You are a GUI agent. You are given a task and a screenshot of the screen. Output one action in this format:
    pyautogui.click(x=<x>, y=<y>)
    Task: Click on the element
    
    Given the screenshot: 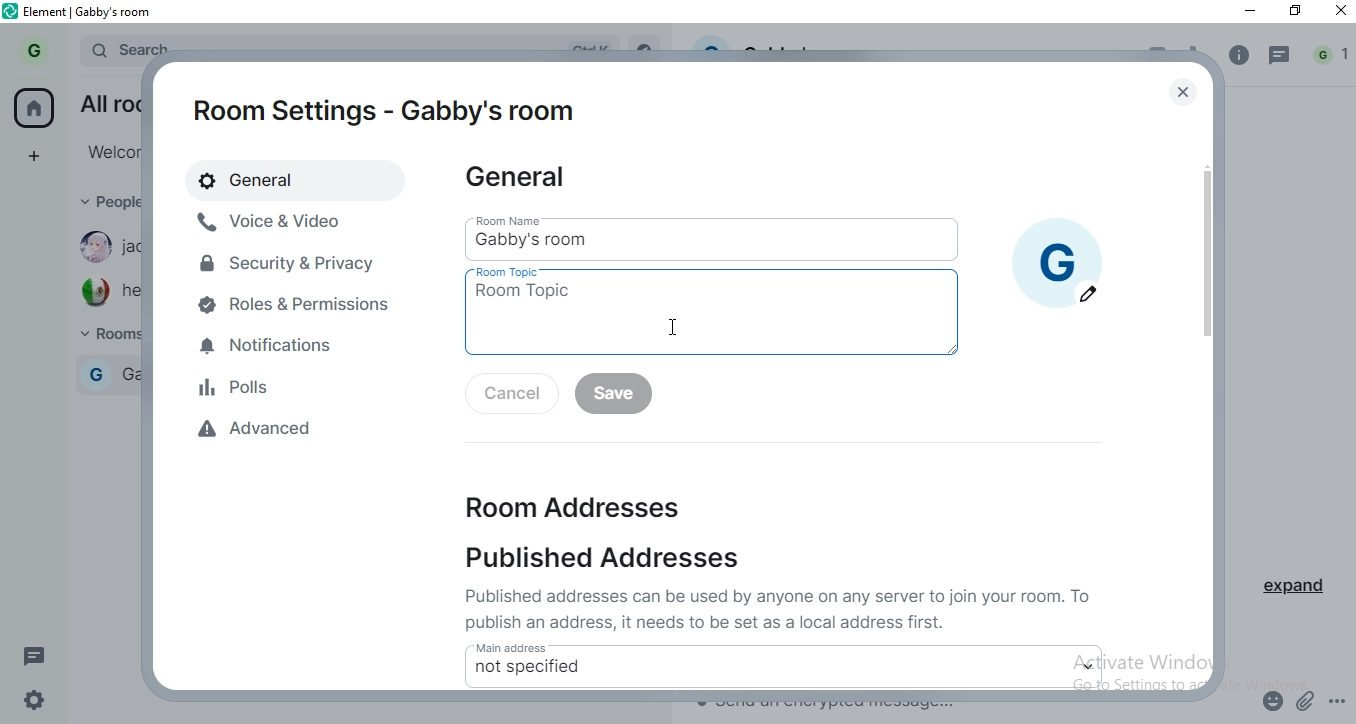 What is the action you would take?
    pyautogui.click(x=93, y=11)
    